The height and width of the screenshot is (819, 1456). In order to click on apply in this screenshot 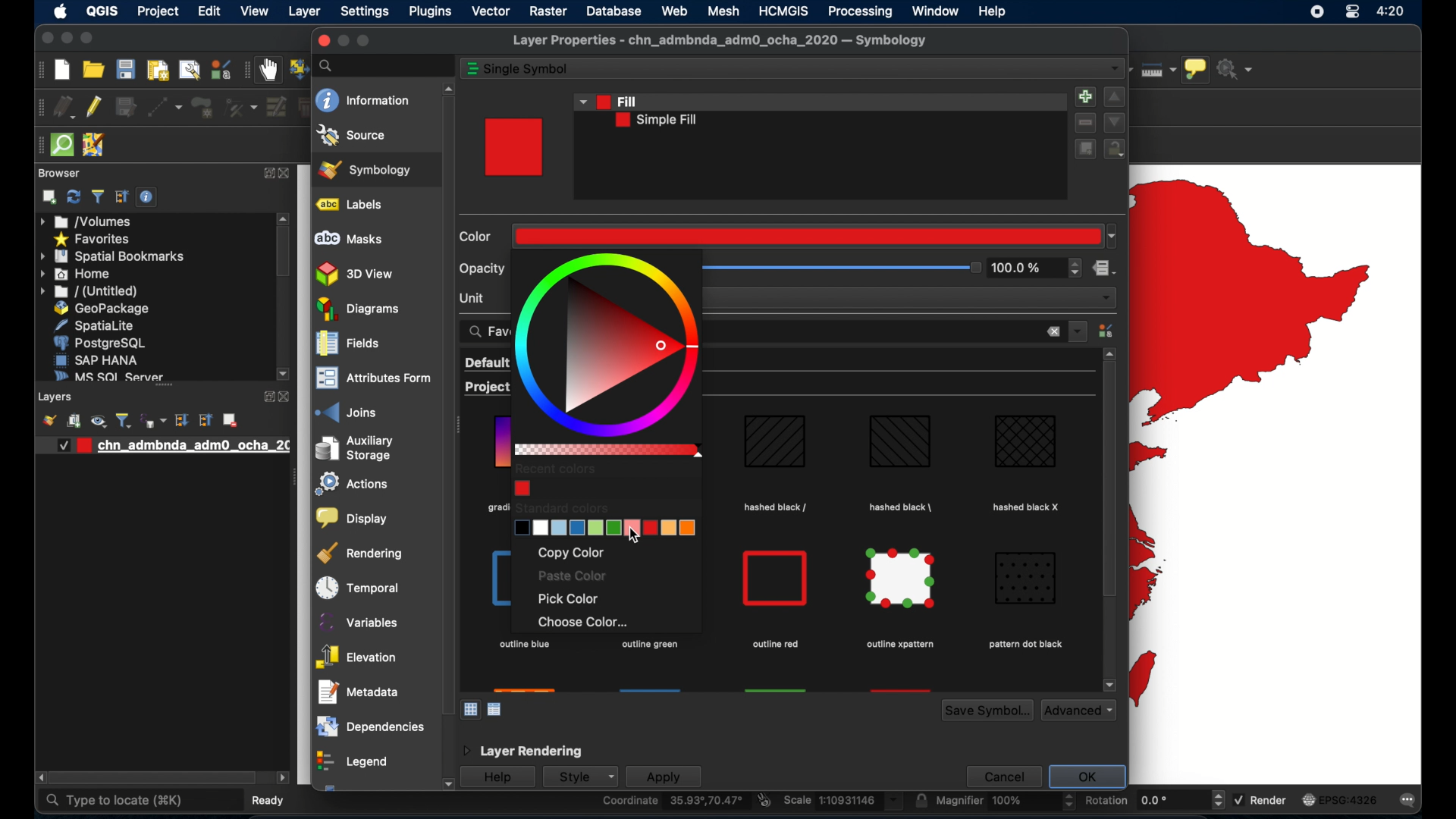, I will do `click(664, 777)`.